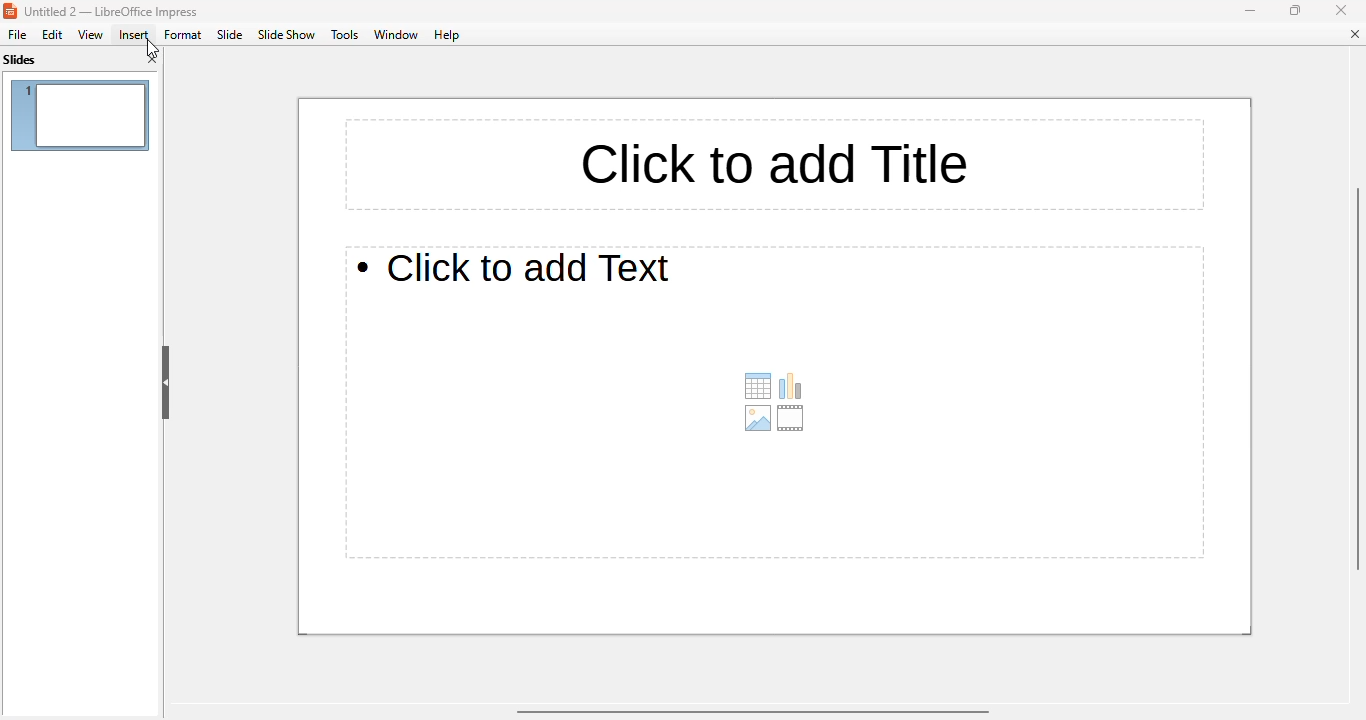 The width and height of the screenshot is (1366, 720). I want to click on insert image, so click(758, 418).